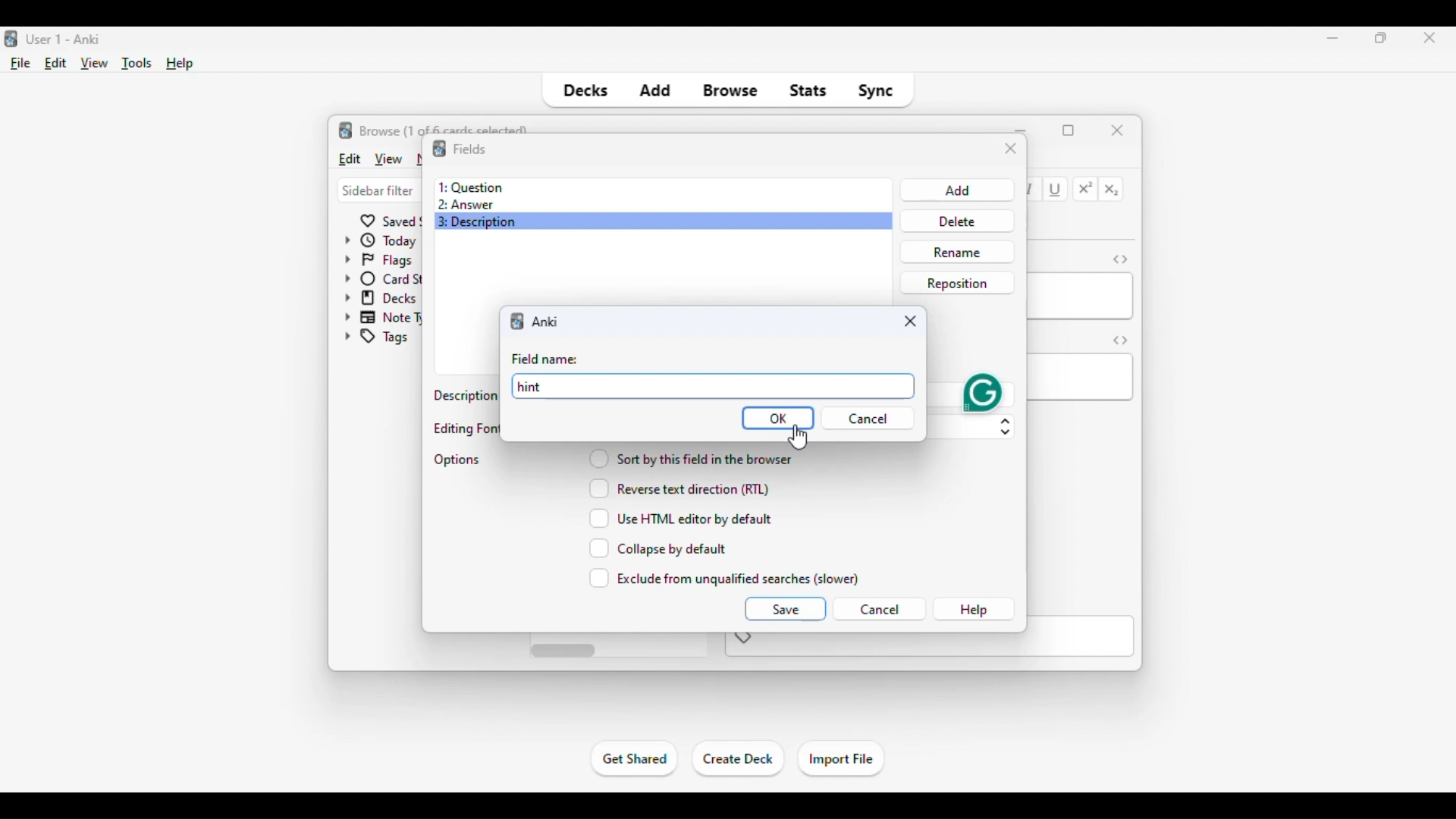  What do you see at coordinates (681, 518) in the screenshot?
I see `use HTML editor by default` at bounding box center [681, 518].